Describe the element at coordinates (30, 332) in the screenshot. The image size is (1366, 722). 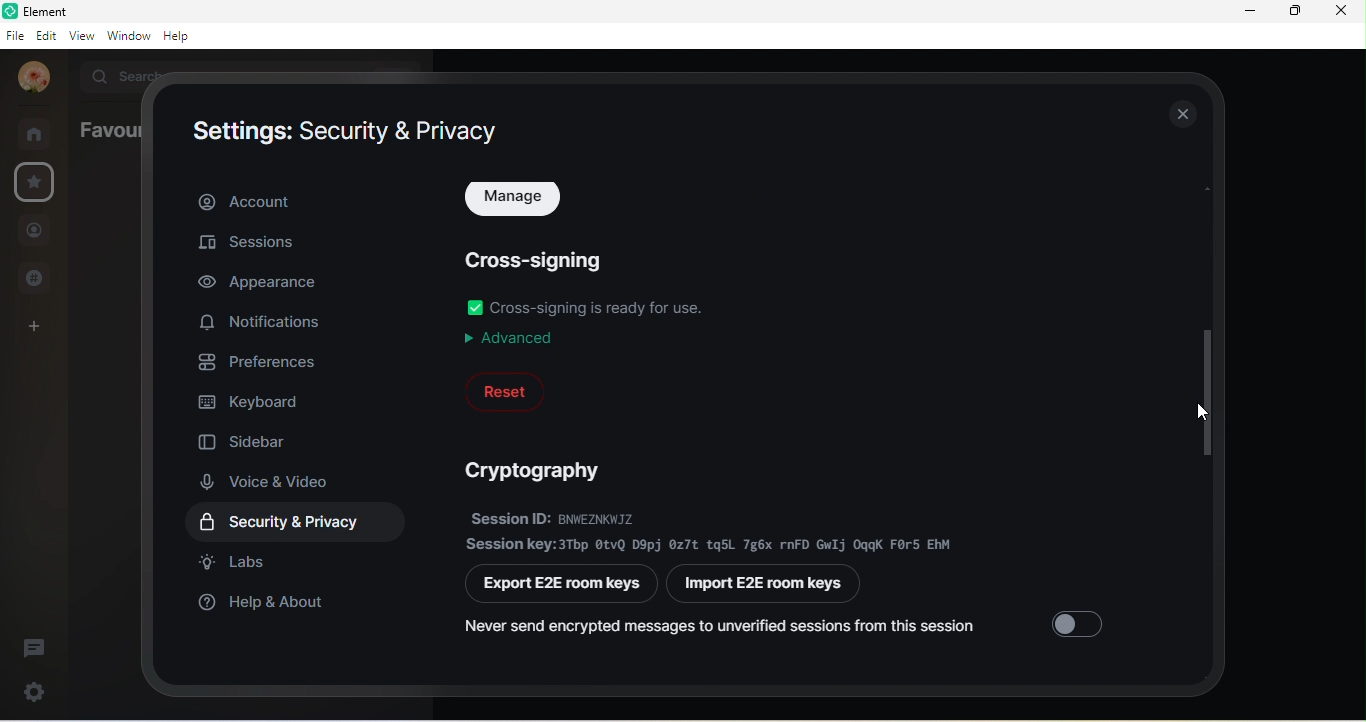
I see `add space` at that location.